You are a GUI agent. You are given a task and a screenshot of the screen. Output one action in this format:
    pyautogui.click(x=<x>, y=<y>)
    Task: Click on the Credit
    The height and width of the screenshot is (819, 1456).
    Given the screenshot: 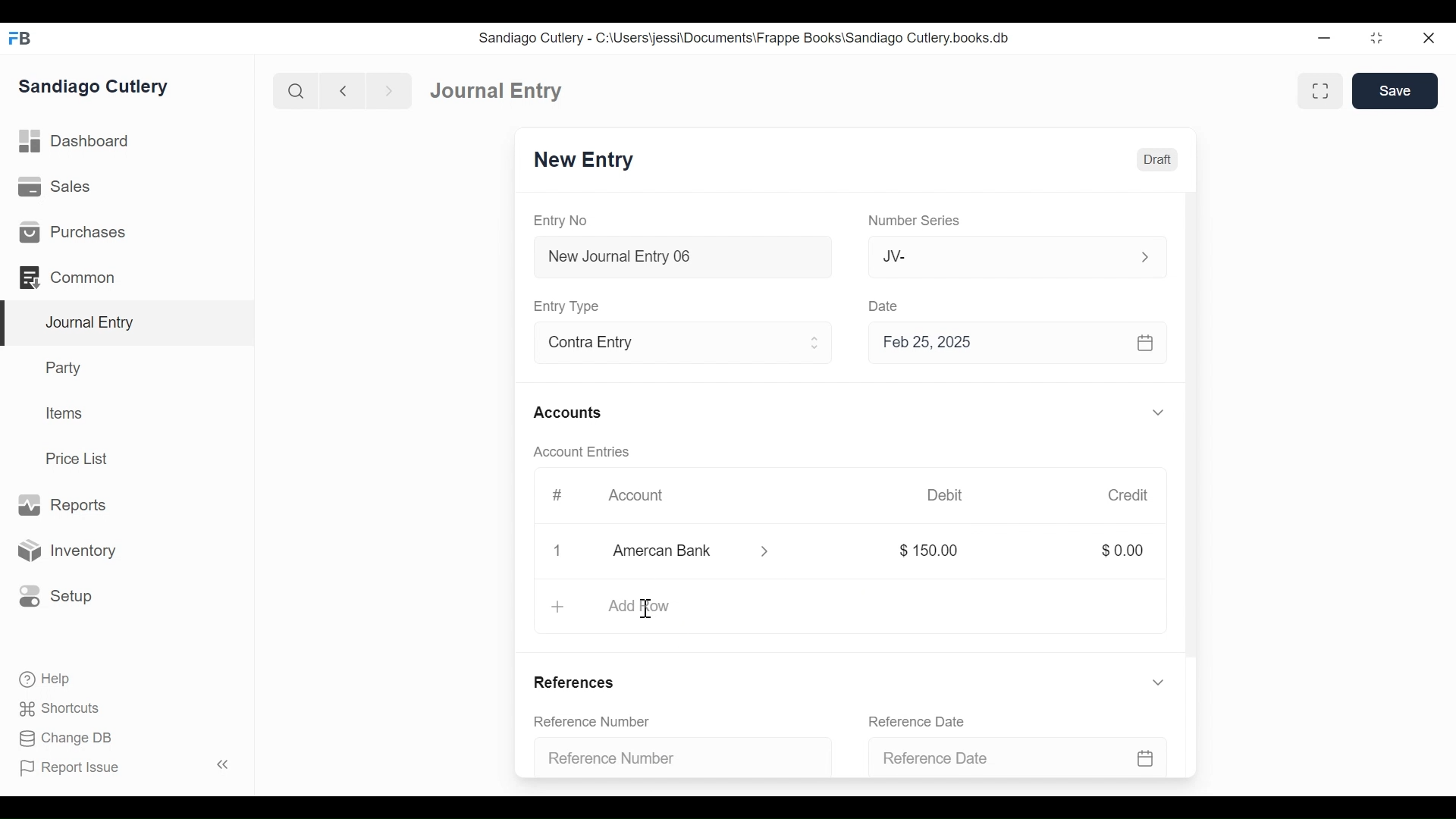 What is the action you would take?
    pyautogui.click(x=1127, y=495)
    